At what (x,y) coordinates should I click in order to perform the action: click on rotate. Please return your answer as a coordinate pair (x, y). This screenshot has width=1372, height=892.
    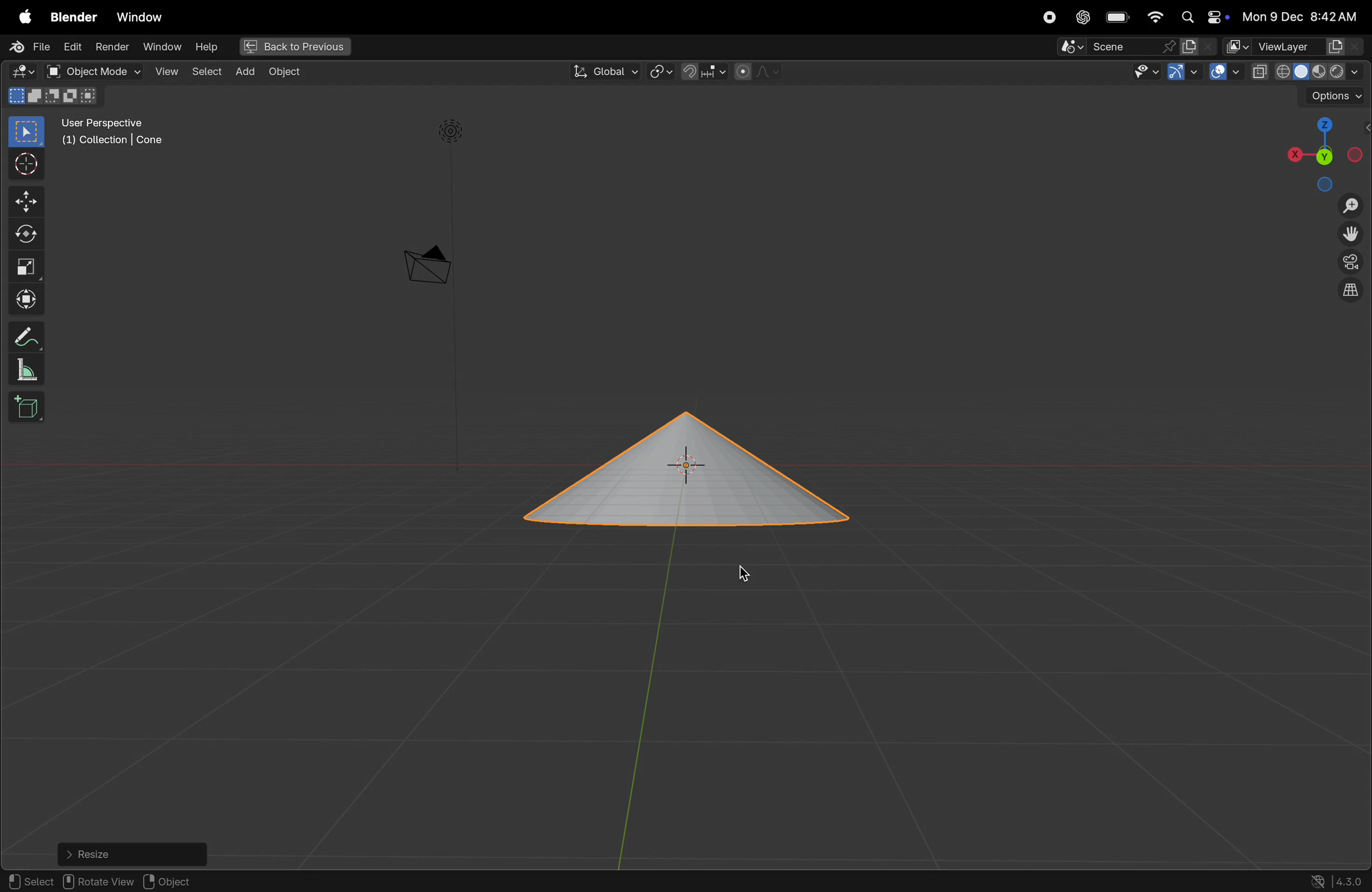
    Looking at the image, I should click on (24, 235).